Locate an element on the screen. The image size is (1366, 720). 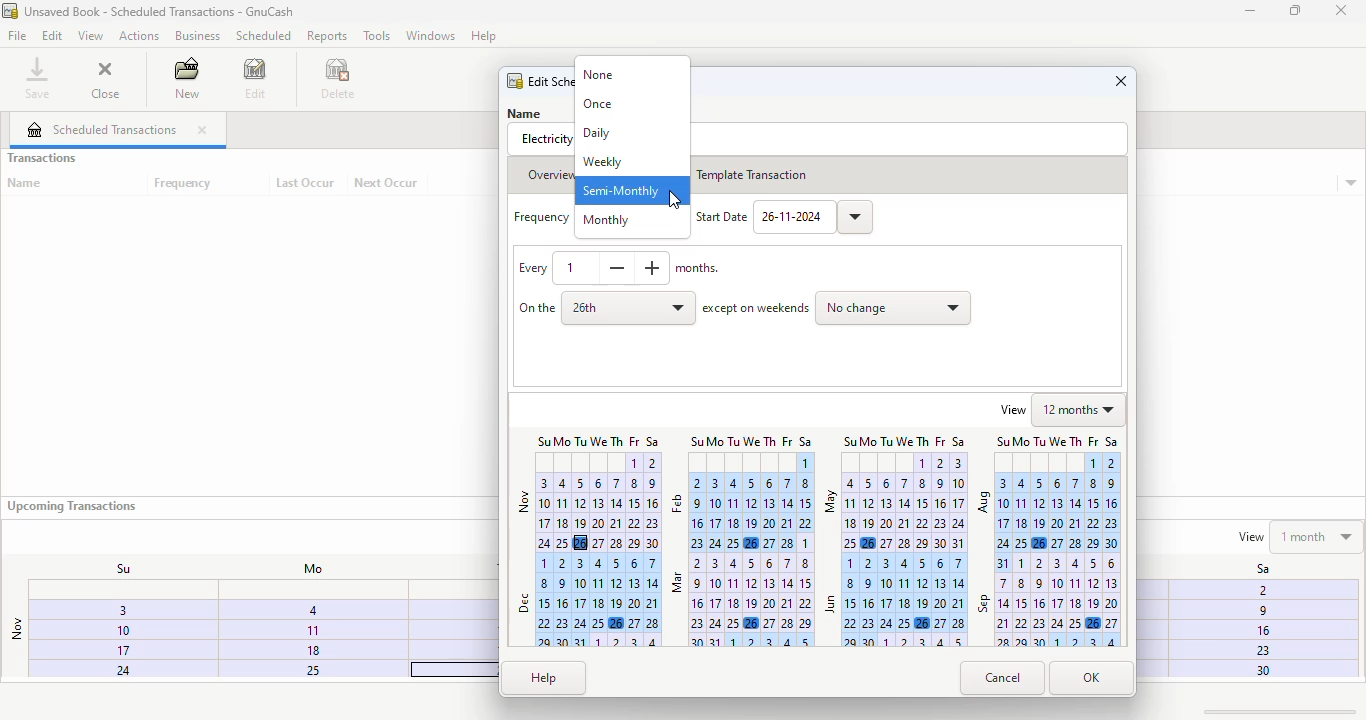
delete is located at coordinates (339, 78).